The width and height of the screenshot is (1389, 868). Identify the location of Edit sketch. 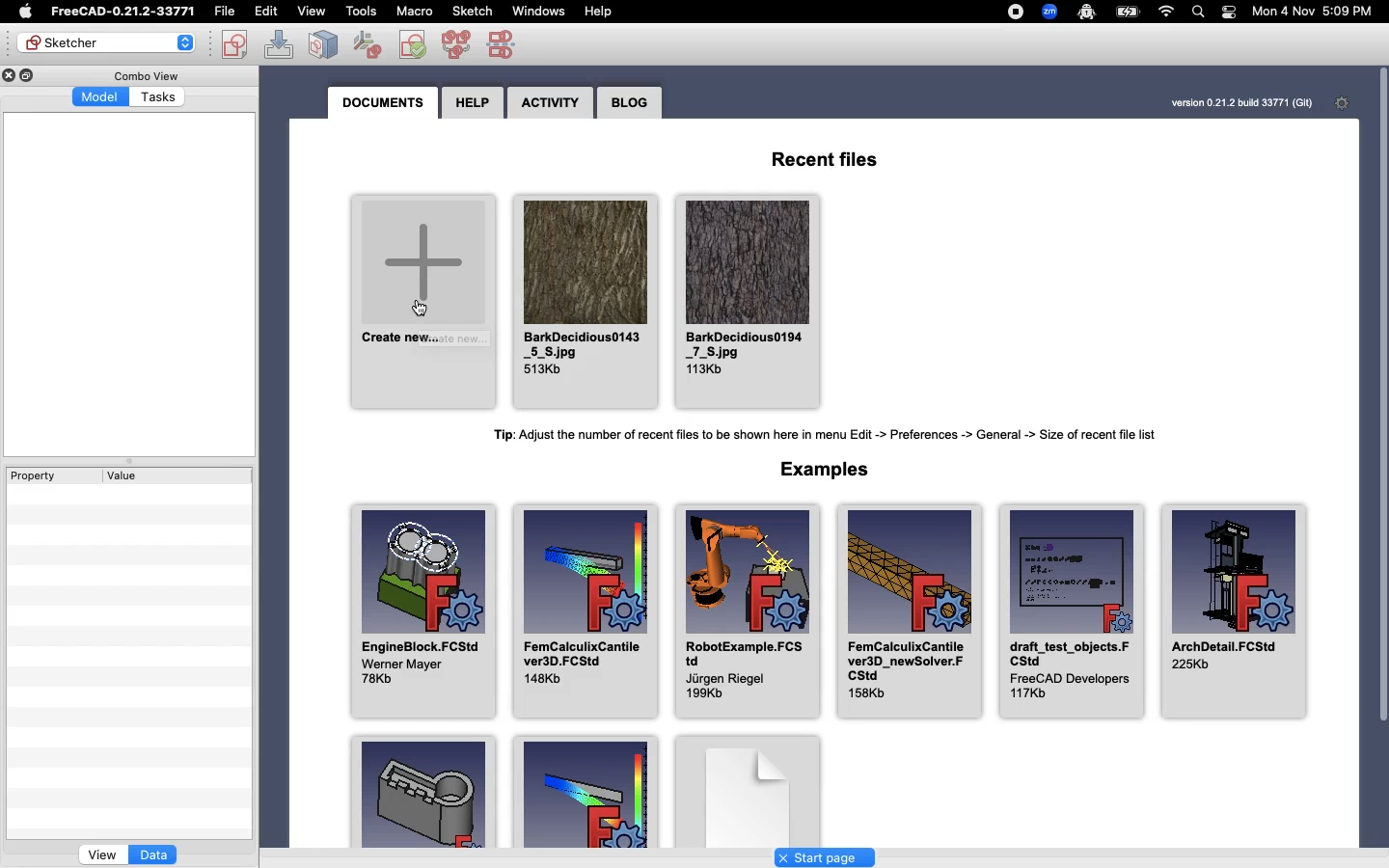
(280, 44).